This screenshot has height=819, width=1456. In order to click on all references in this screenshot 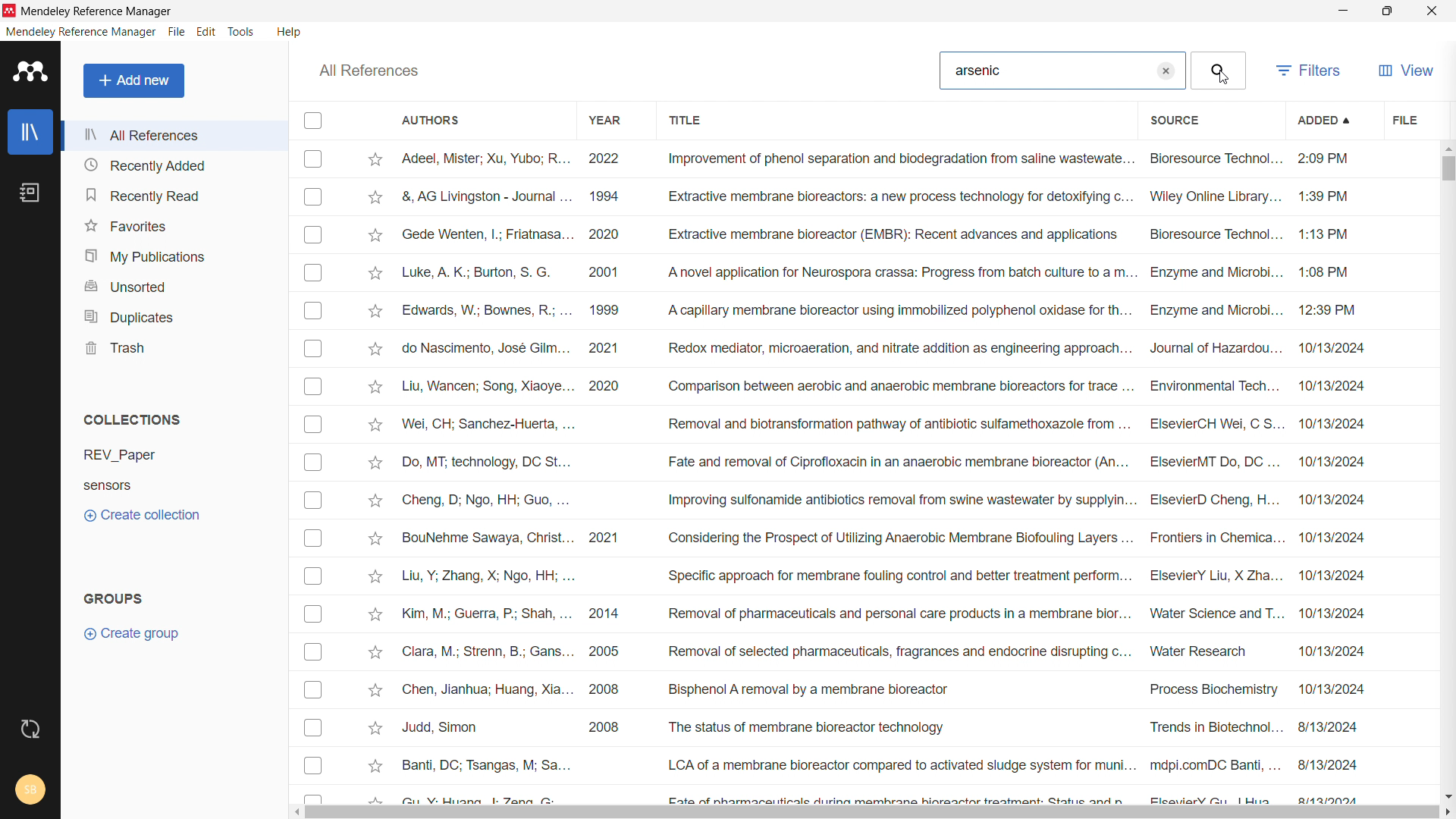, I will do `click(174, 136)`.